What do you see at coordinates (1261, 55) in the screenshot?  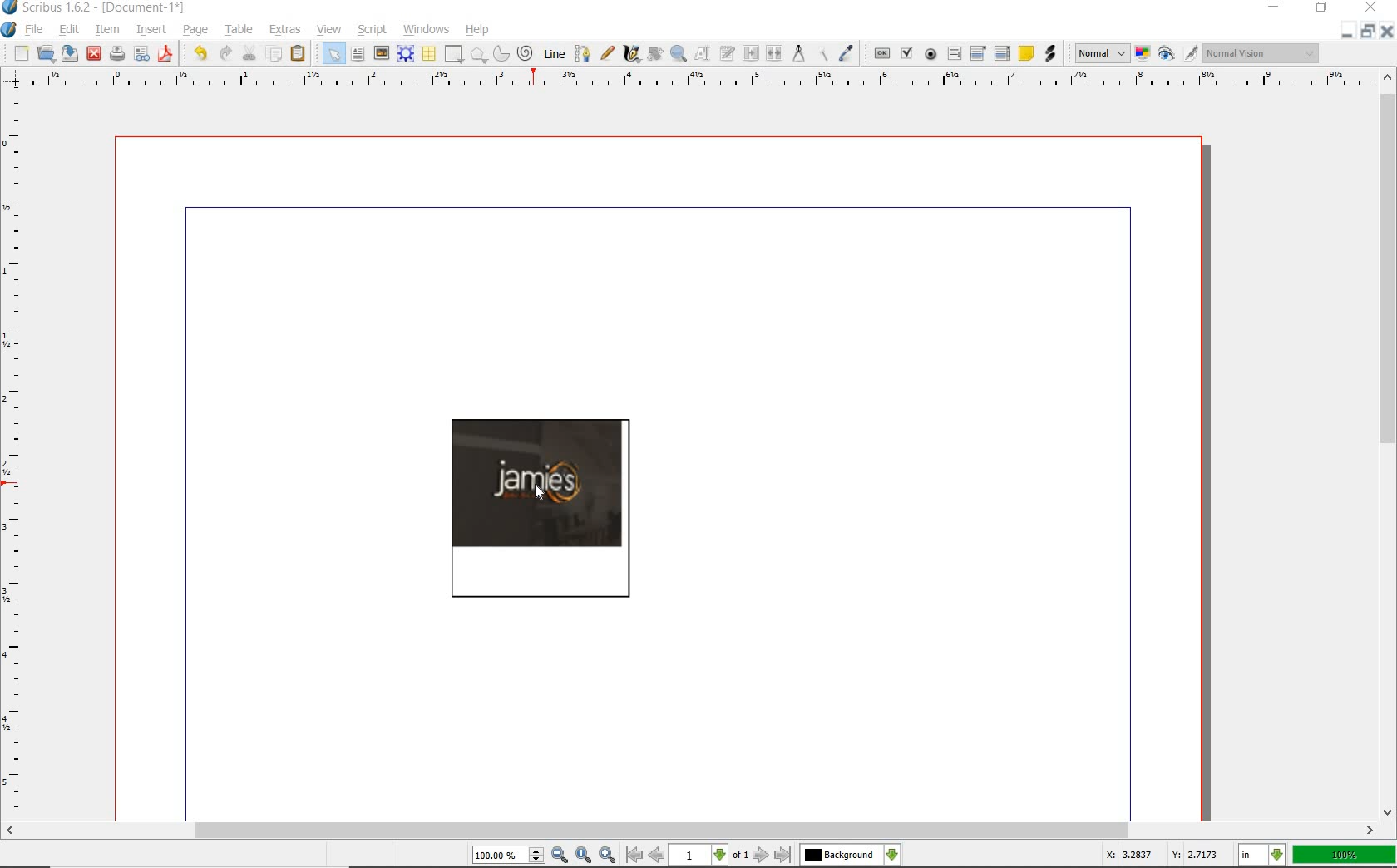 I see `visual appearance of the display` at bounding box center [1261, 55].